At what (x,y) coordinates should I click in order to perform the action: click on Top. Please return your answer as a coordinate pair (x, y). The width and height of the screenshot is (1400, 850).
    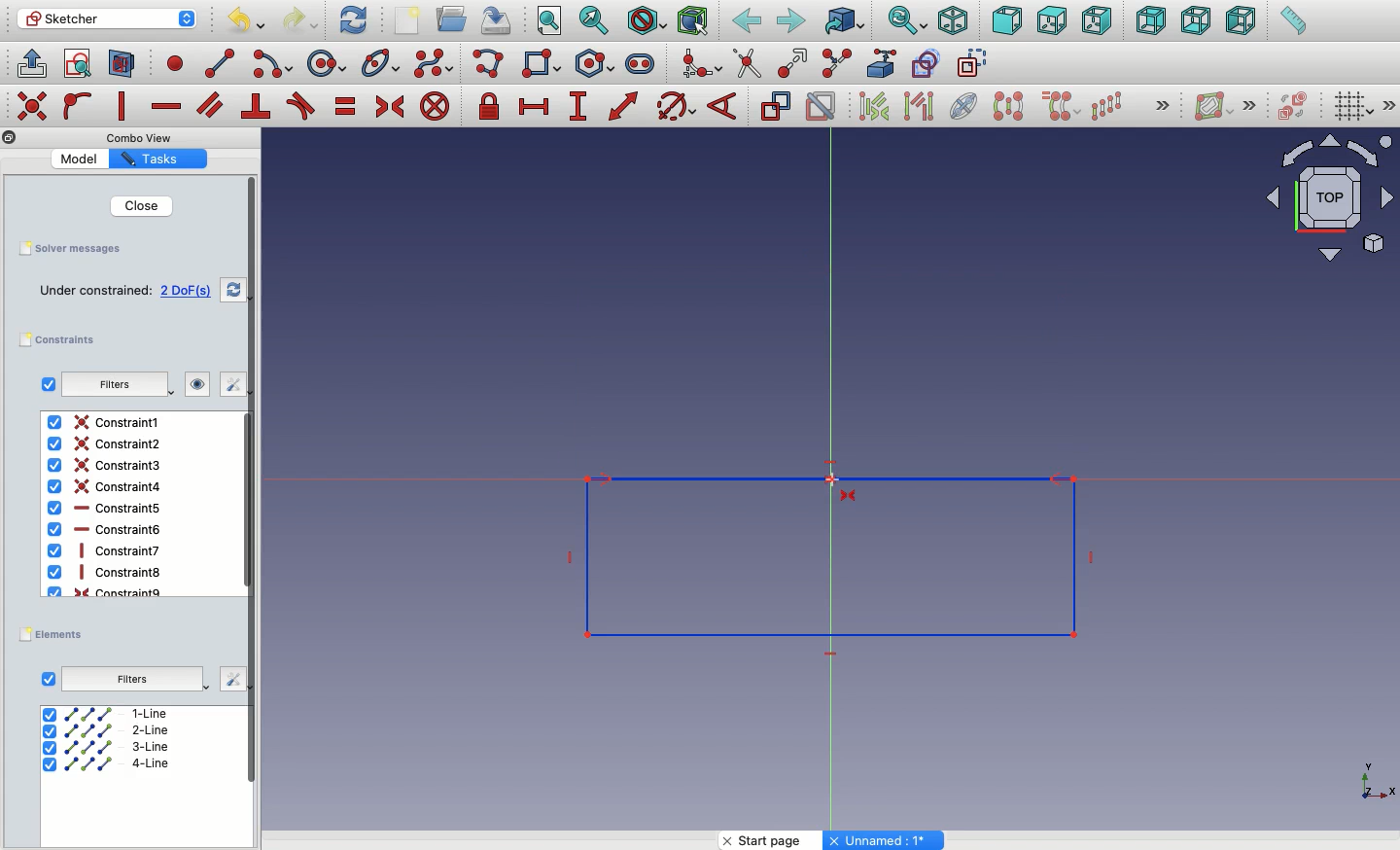
    Looking at the image, I should click on (1051, 21).